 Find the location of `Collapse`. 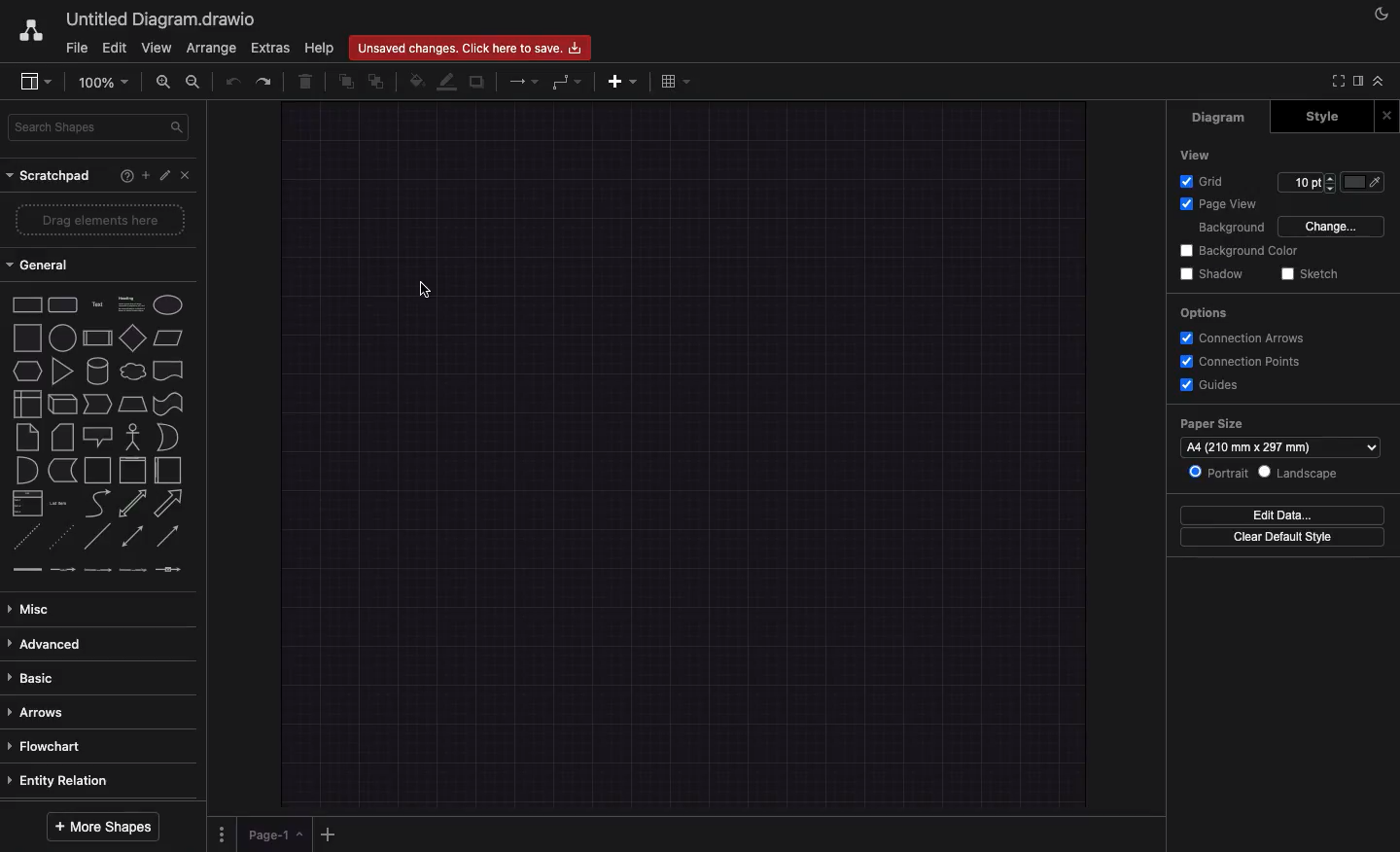

Collapse is located at coordinates (1382, 83).